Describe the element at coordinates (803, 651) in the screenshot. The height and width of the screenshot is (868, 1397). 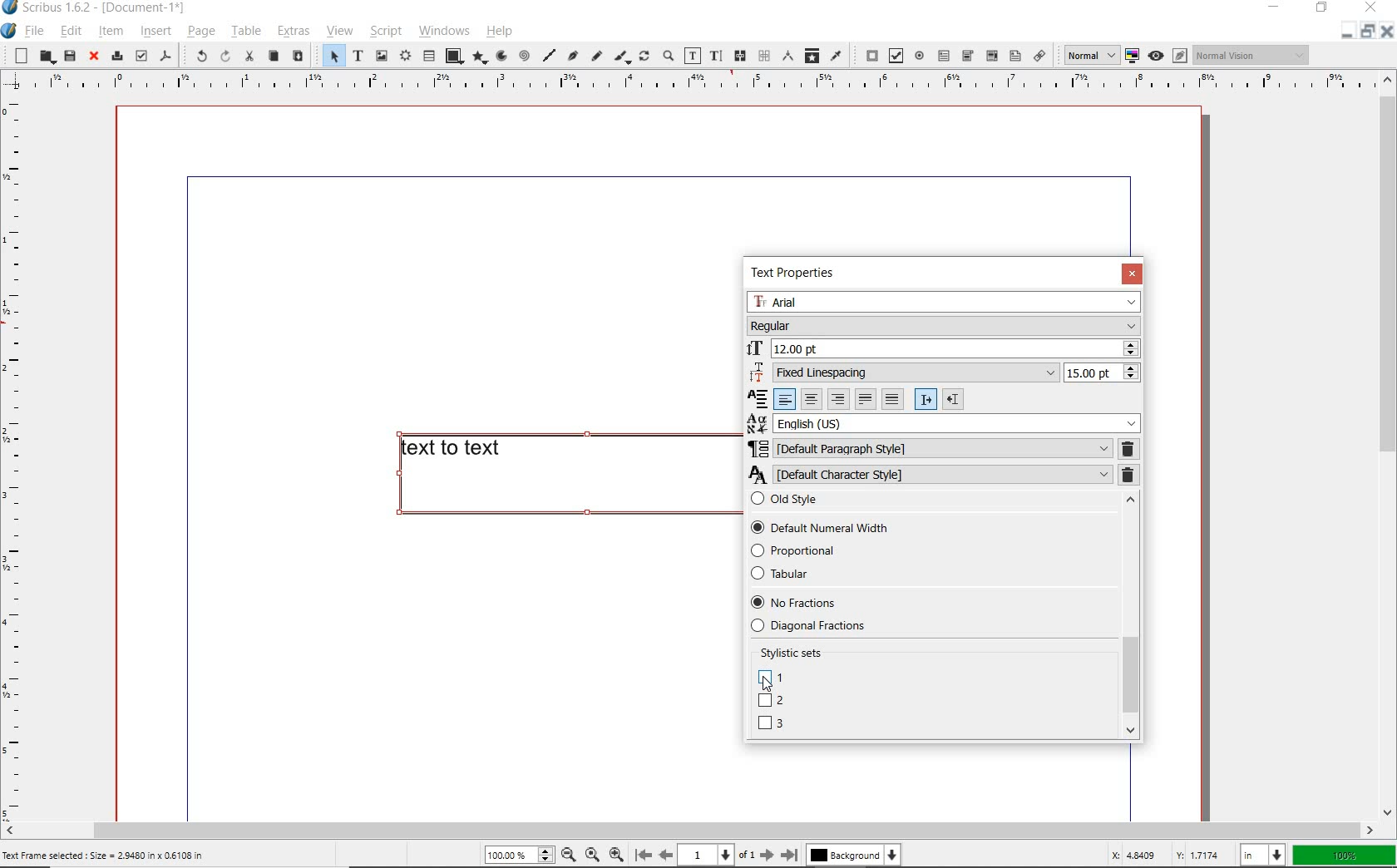
I see `Stylistic sets` at that location.